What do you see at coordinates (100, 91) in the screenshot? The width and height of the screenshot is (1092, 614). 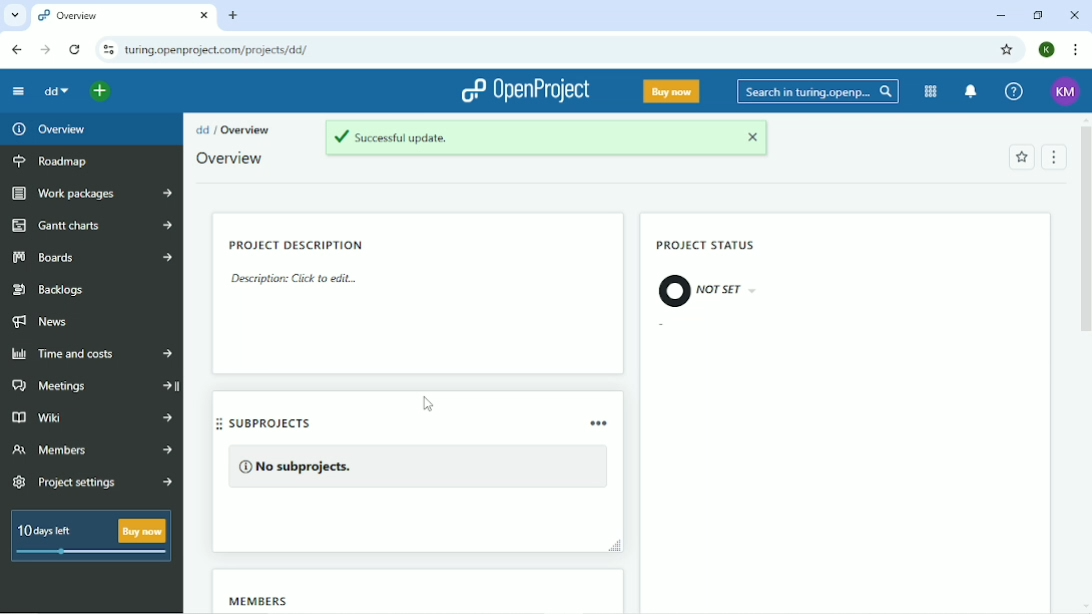 I see `Open quick add menu` at bounding box center [100, 91].